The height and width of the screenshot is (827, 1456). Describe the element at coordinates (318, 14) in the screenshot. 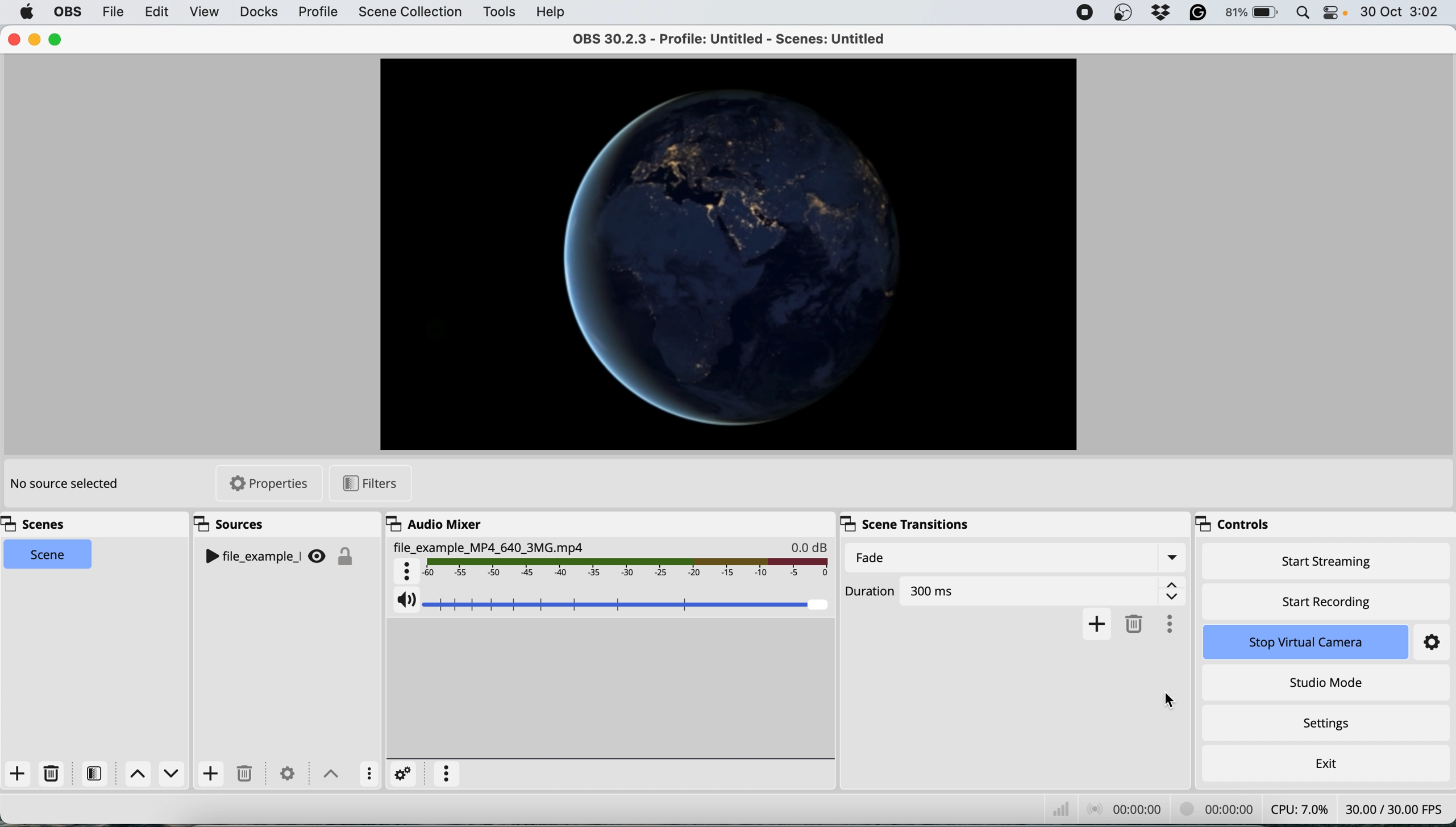

I see `profile` at that location.